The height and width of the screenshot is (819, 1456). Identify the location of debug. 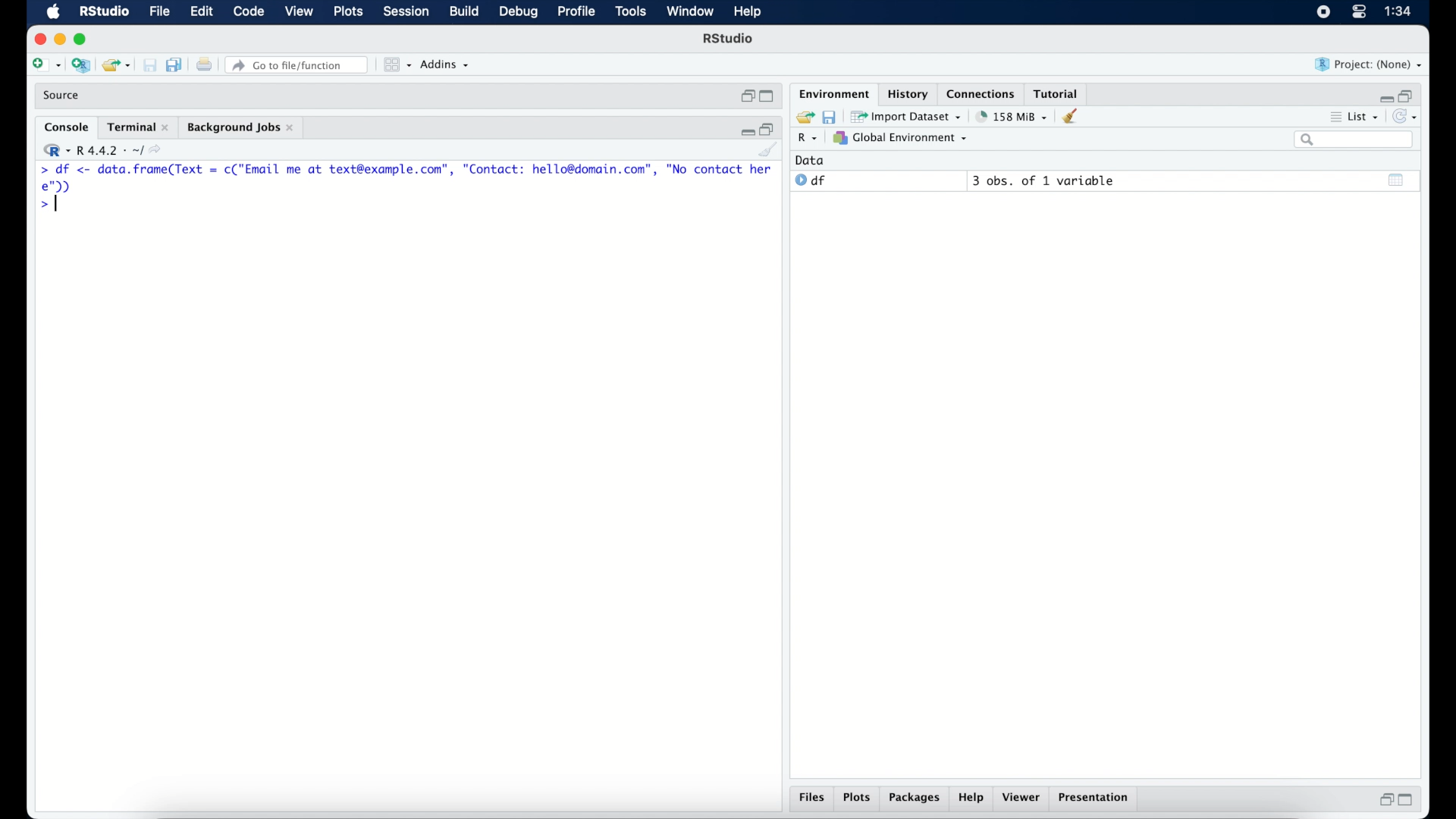
(519, 13).